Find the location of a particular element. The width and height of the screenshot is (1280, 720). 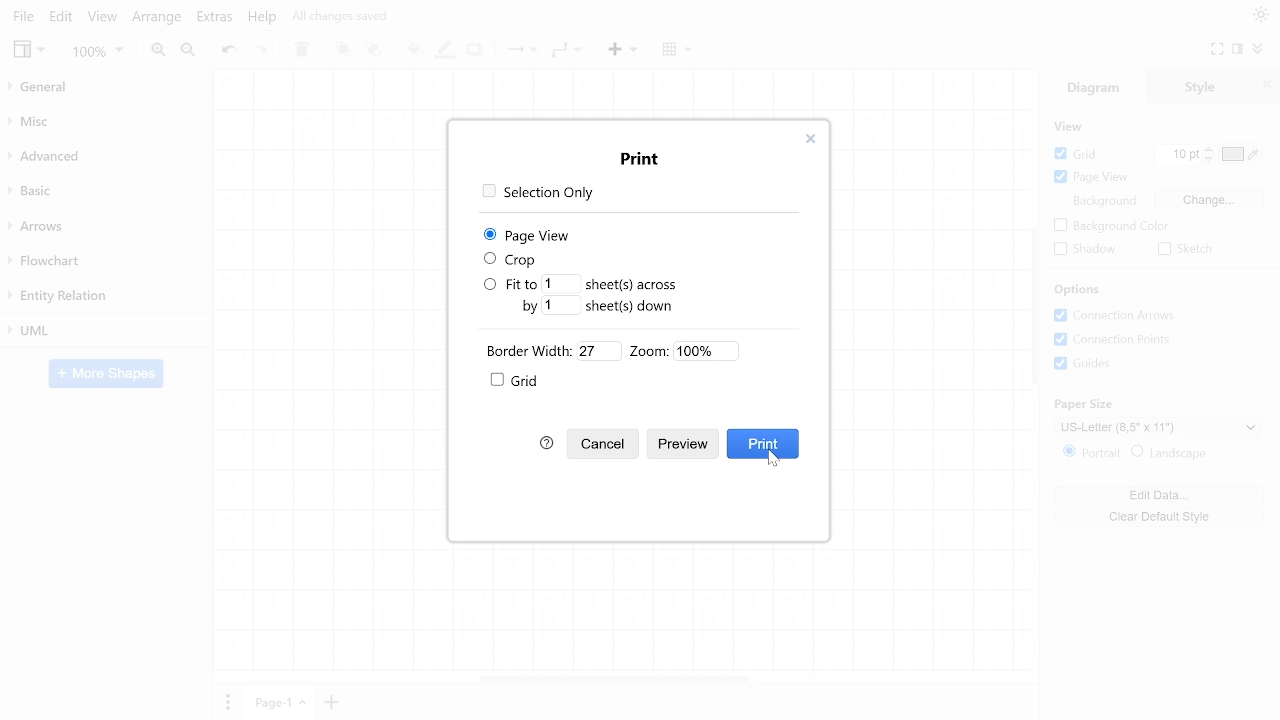

Edit is located at coordinates (63, 17).